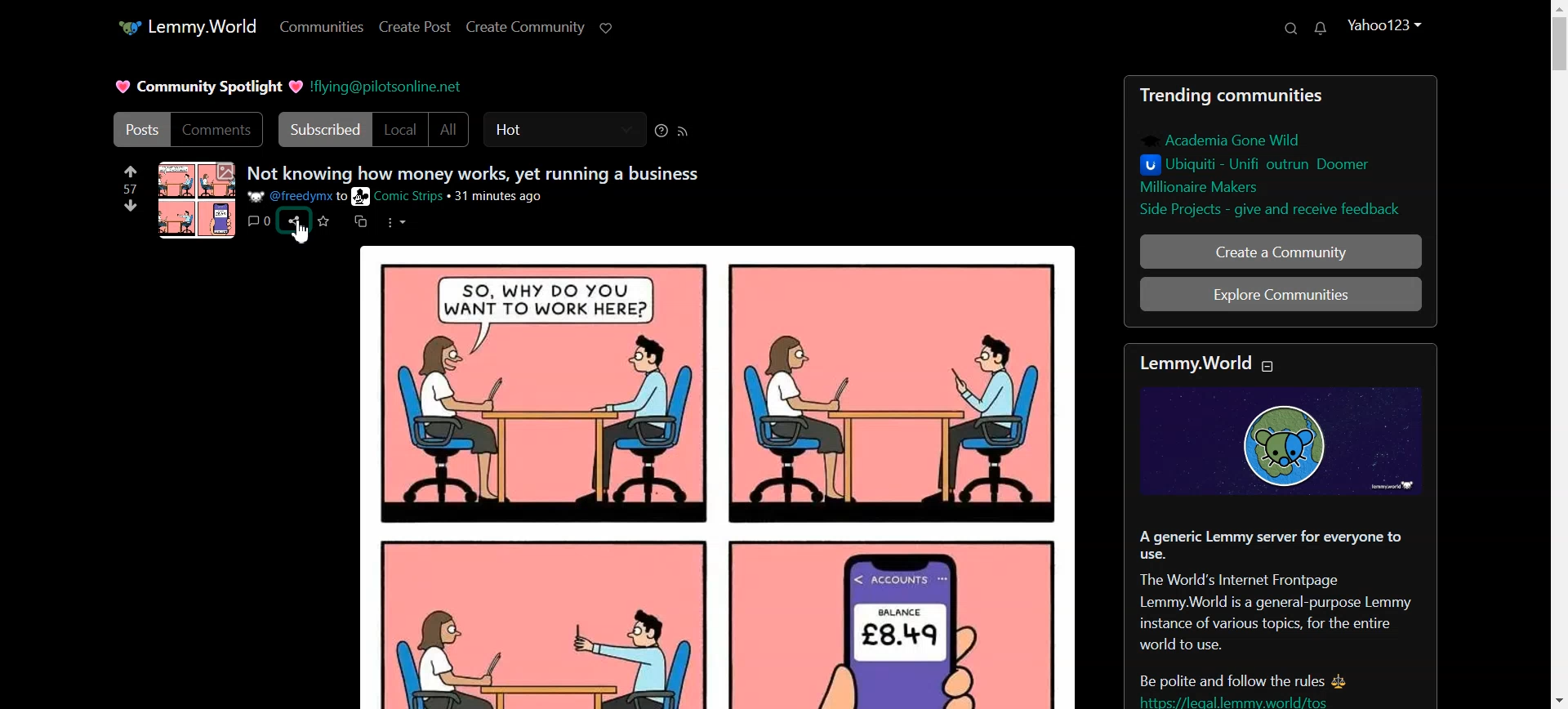 The height and width of the screenshot is (709, 1568). Describe the element at coordinates (1387, 24) in the screenshot. I see `Profile` at that location.